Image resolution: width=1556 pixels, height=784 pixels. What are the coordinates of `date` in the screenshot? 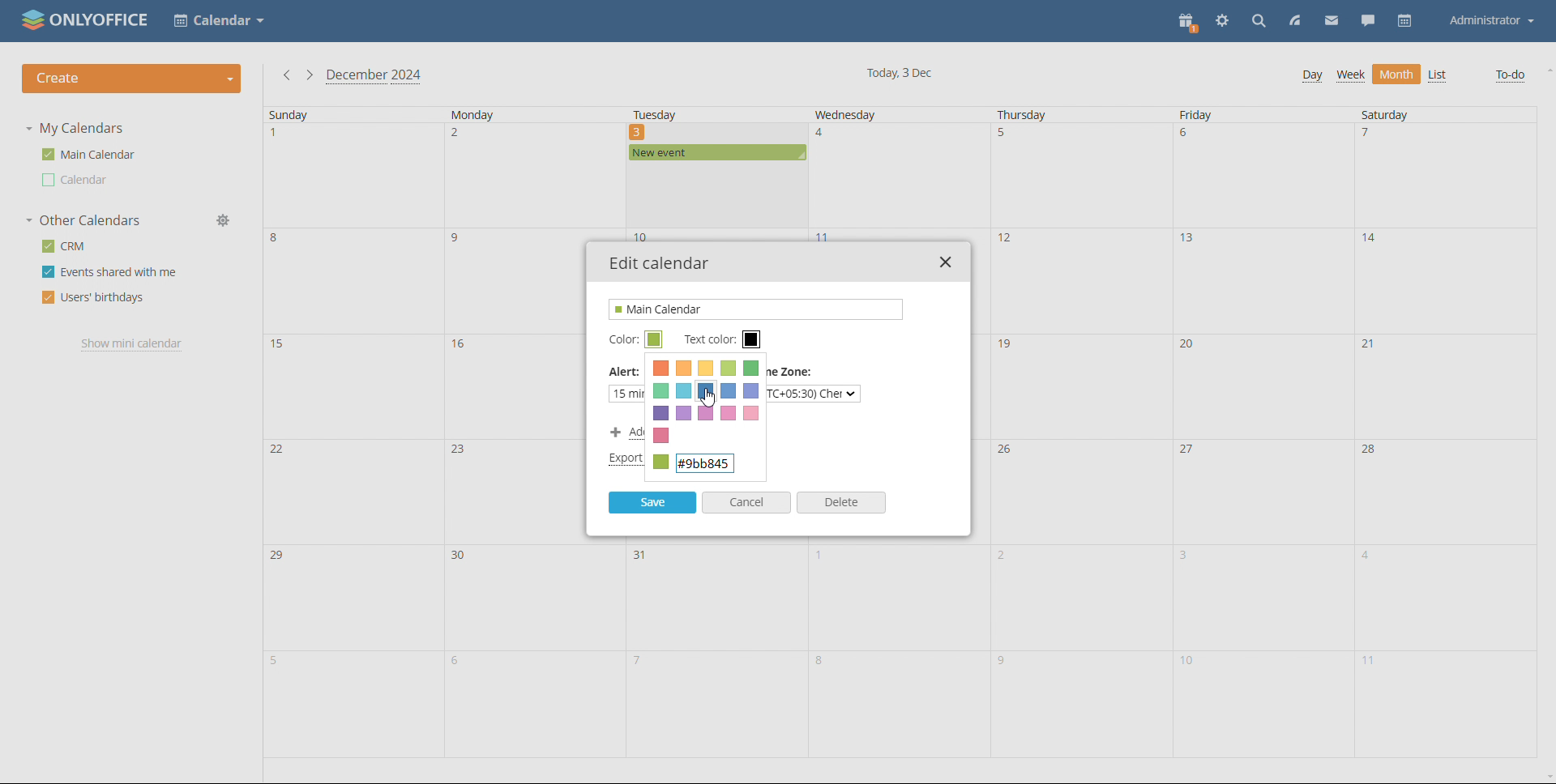 It's located at (1081, 384).